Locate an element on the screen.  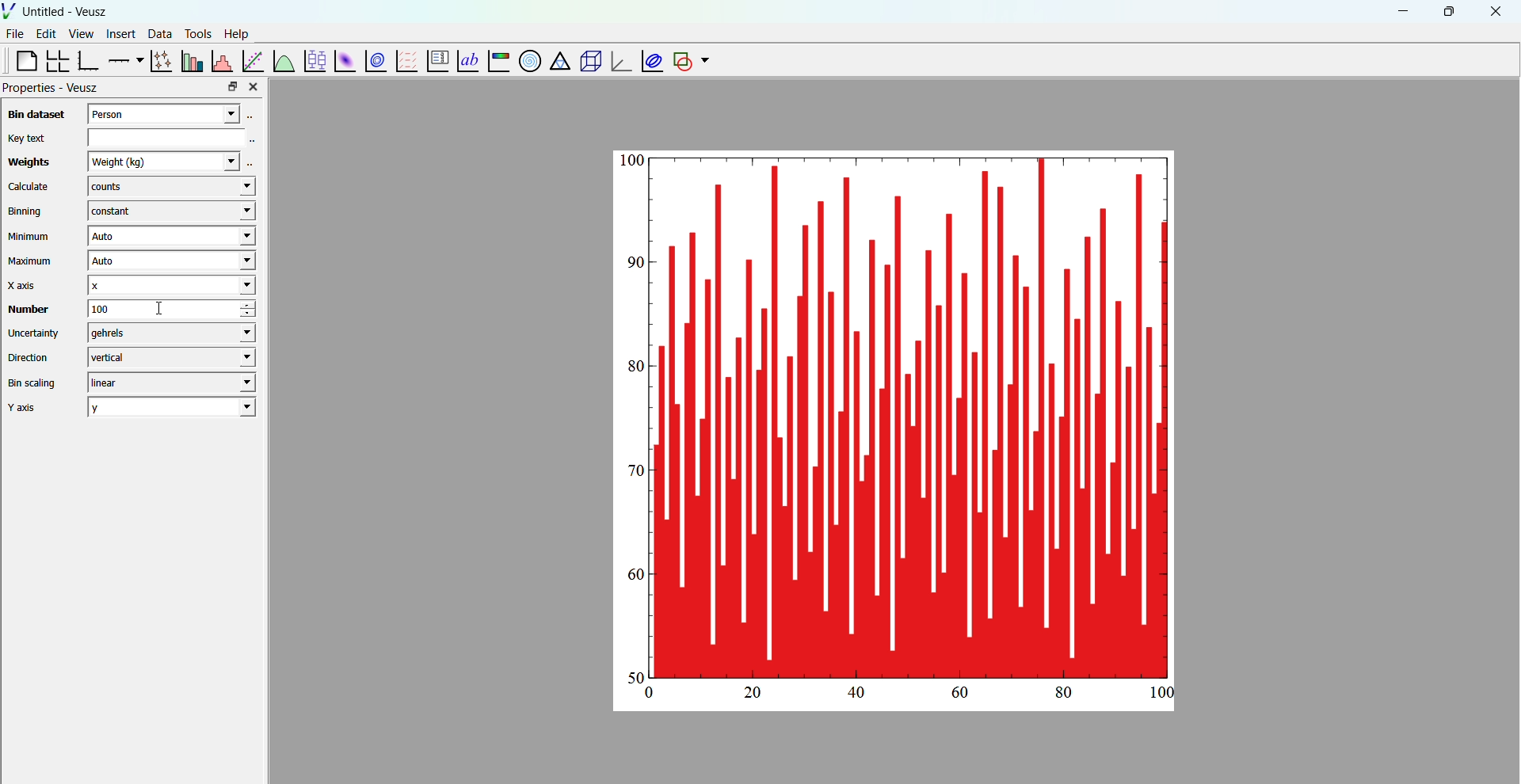
ternary graph is located at coordinates (558, 63).